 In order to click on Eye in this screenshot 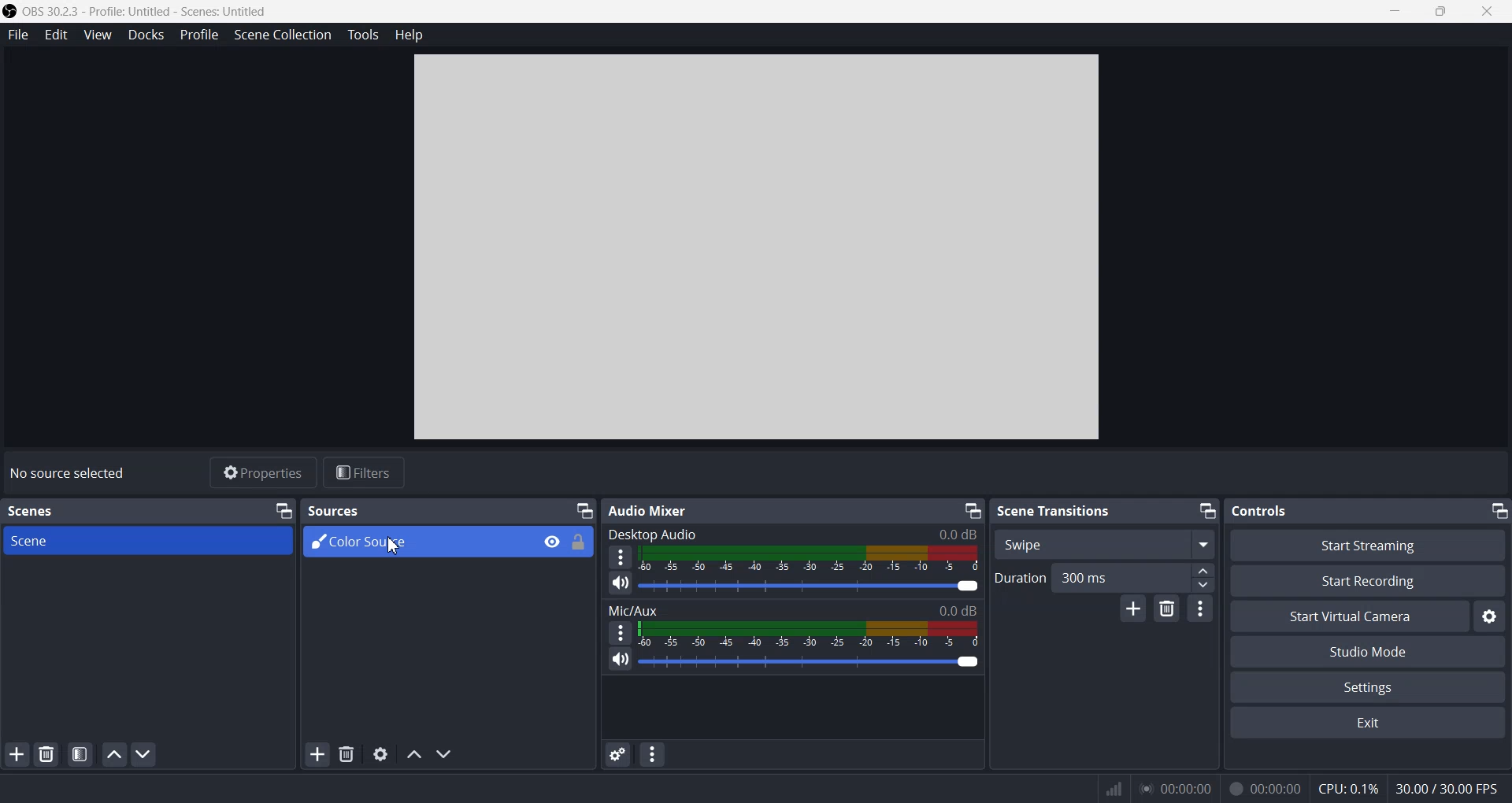, I will do `click(553, 542)`.